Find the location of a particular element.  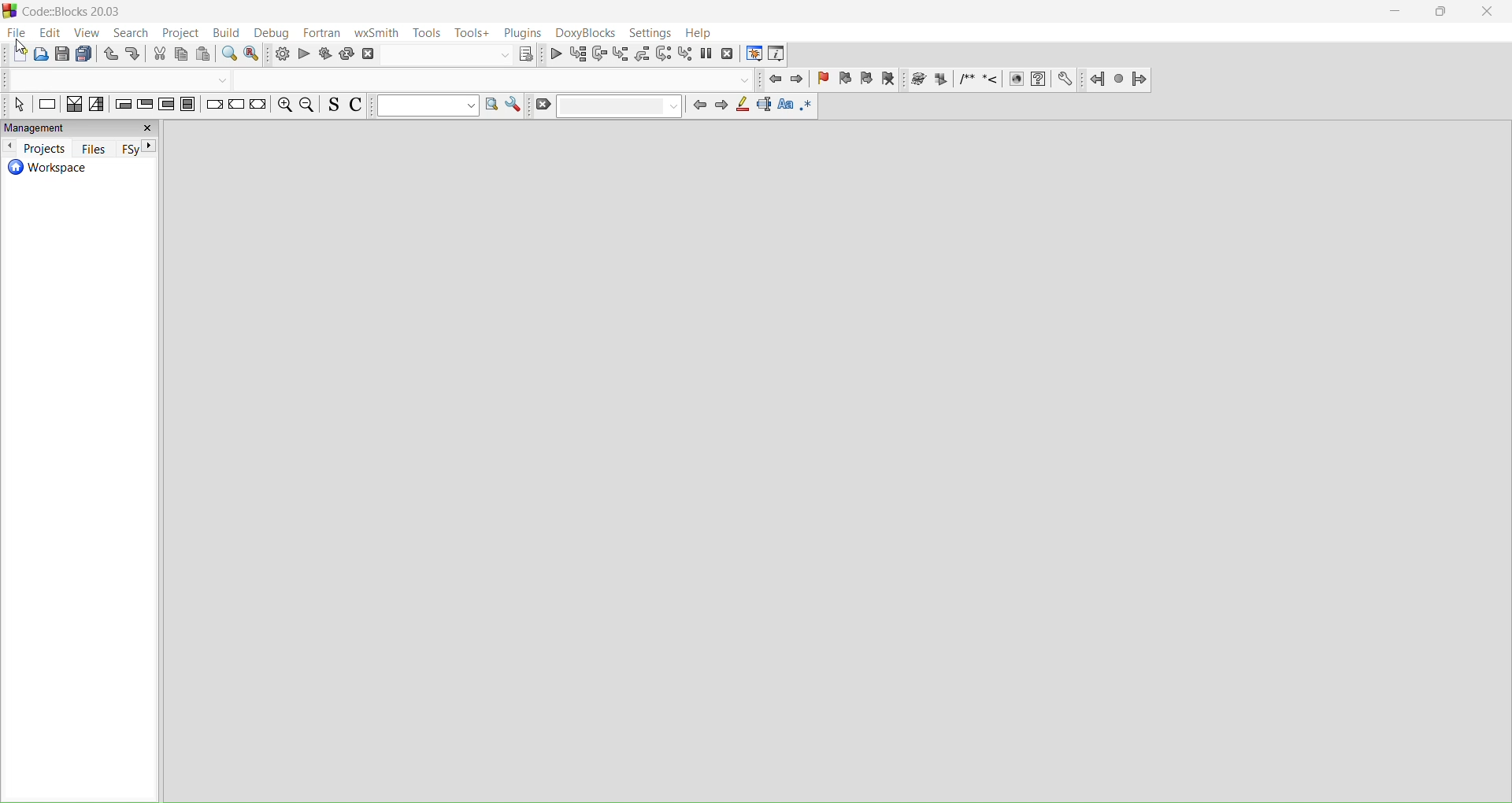

instructions is located at coordinates (47, 105).